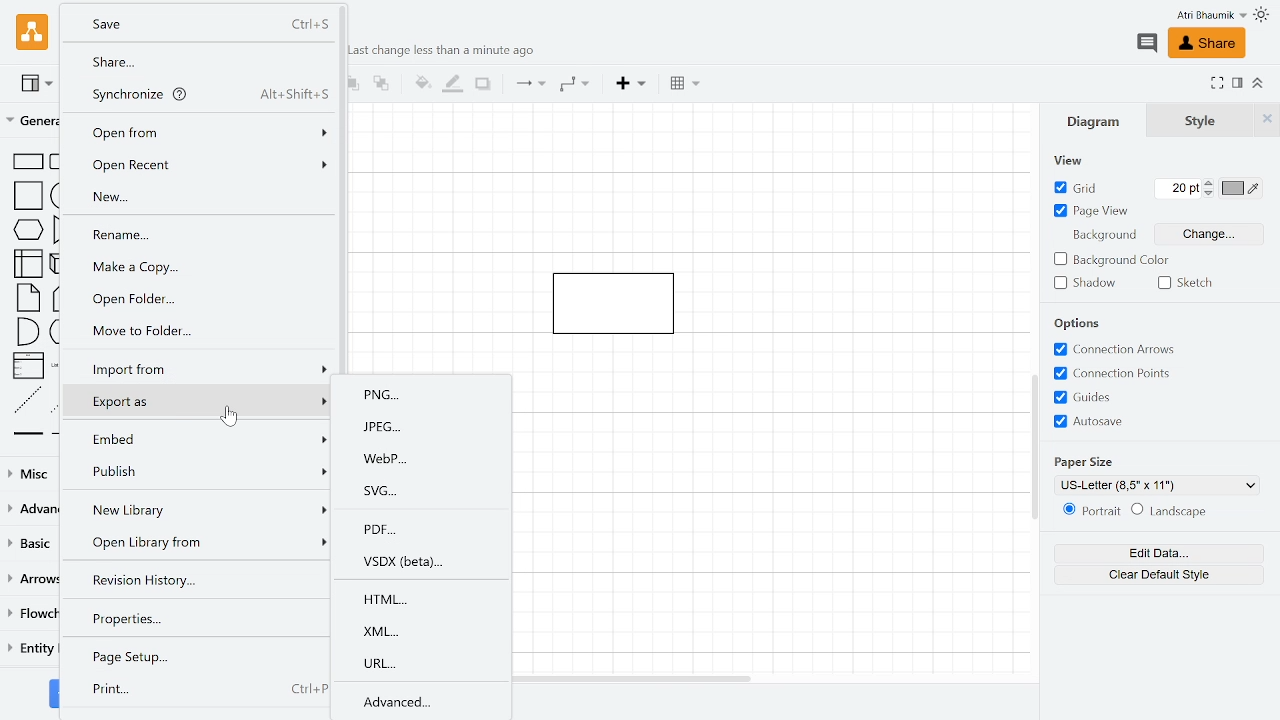  I want to click on General, so click(30, 120).